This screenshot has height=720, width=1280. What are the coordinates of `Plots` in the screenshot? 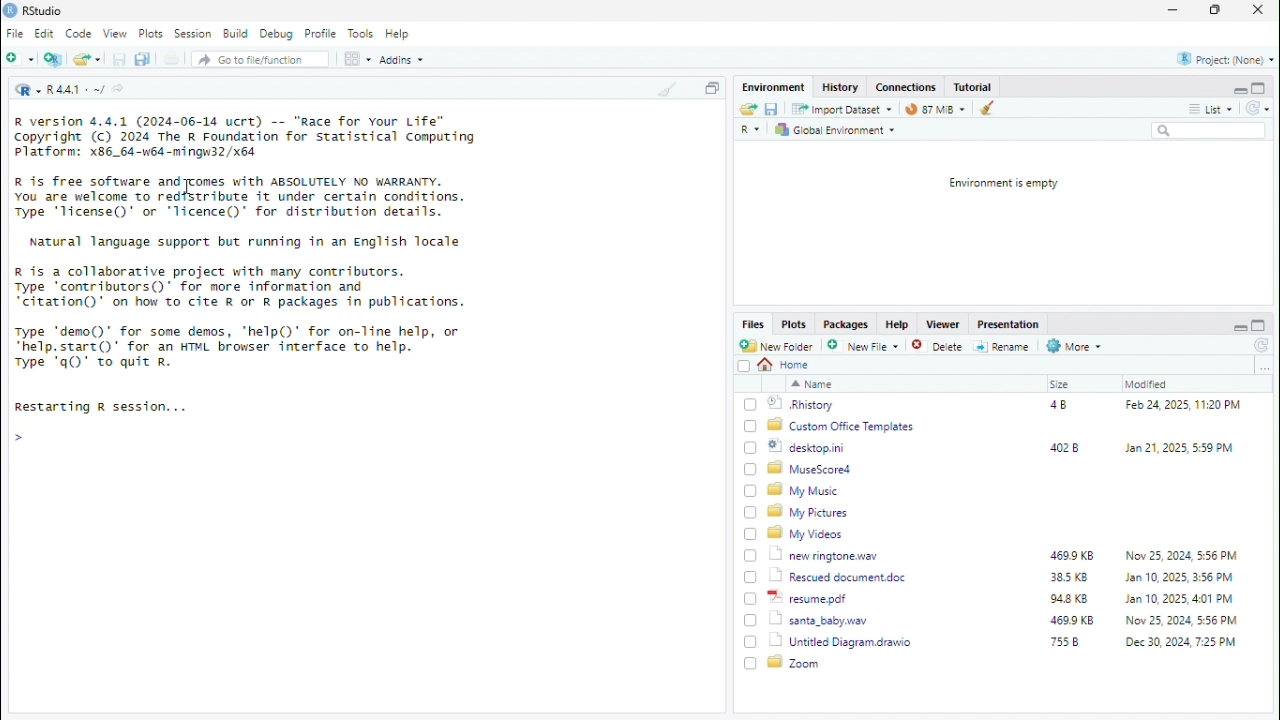 It's located at (151, 33).